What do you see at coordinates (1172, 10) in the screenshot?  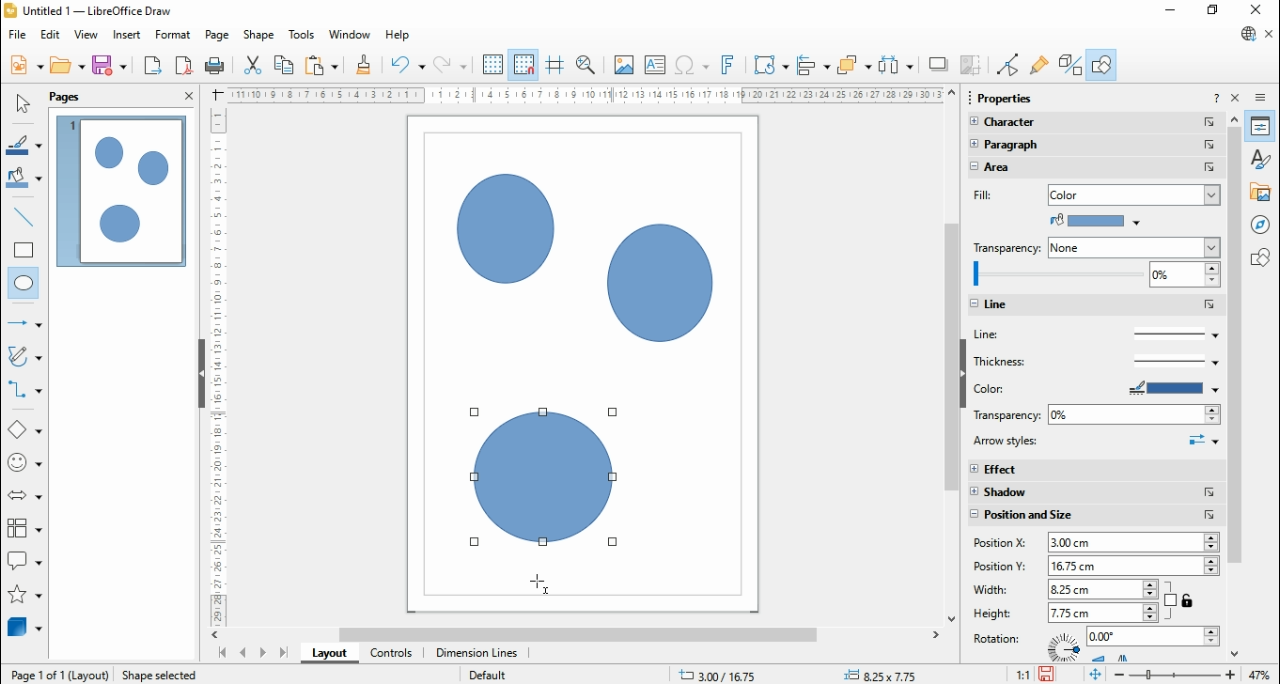 I see `minimize` at bounding box center [1172, 10].